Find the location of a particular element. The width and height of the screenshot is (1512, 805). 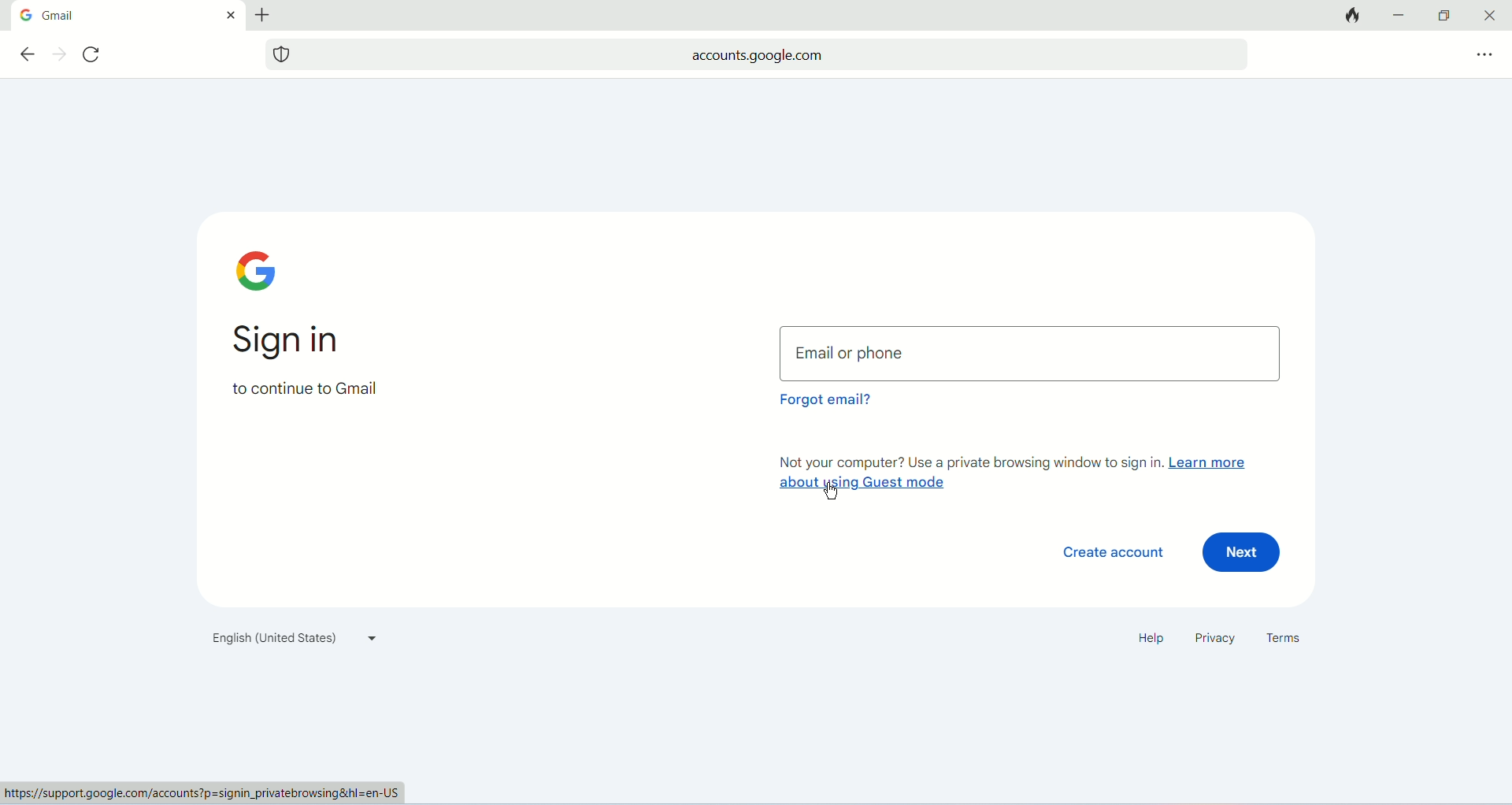

add tab is located at coordinates (267, 15).